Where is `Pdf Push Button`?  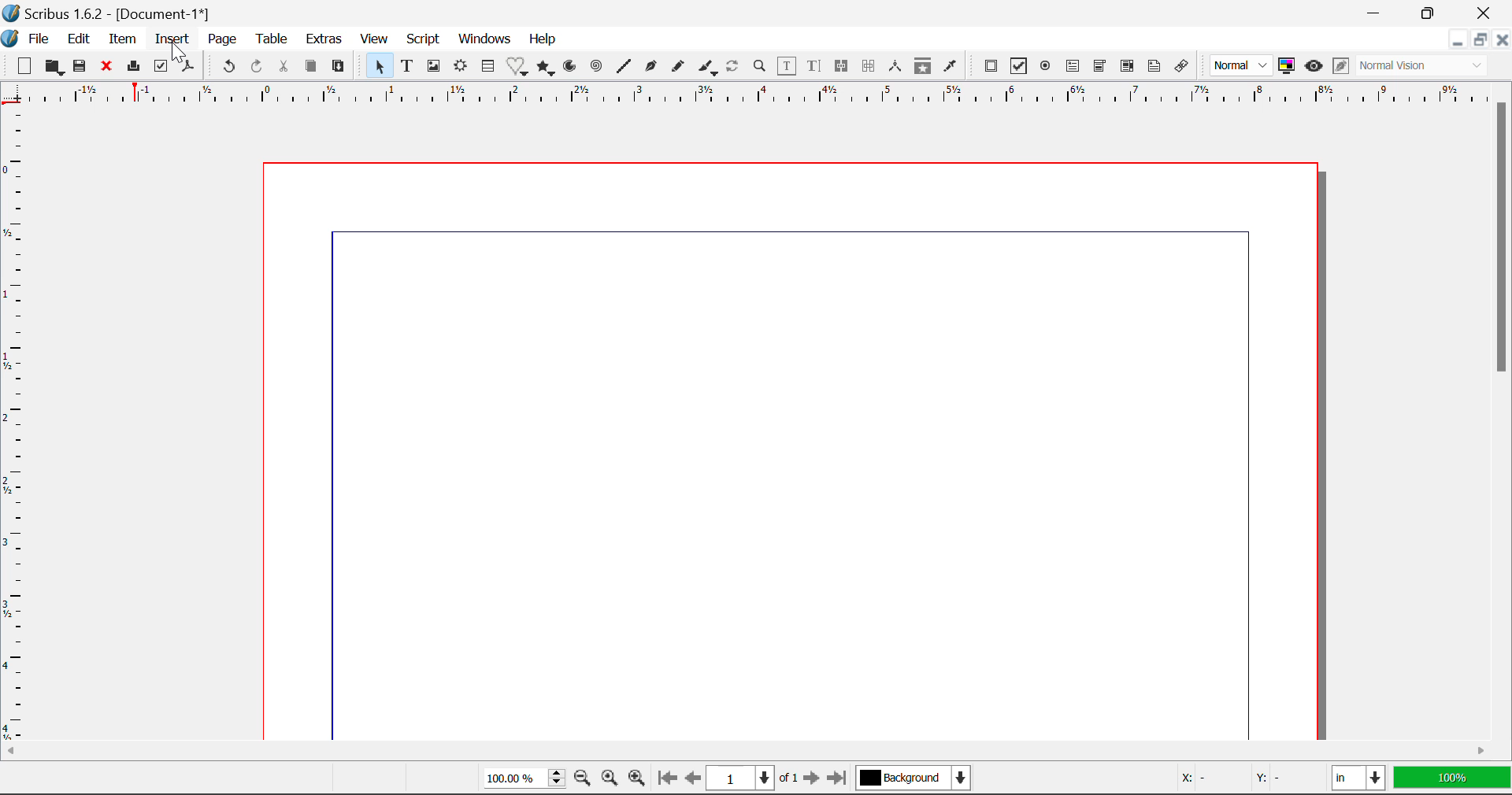 Pdf Push Button is located at coordinates (991, 66).